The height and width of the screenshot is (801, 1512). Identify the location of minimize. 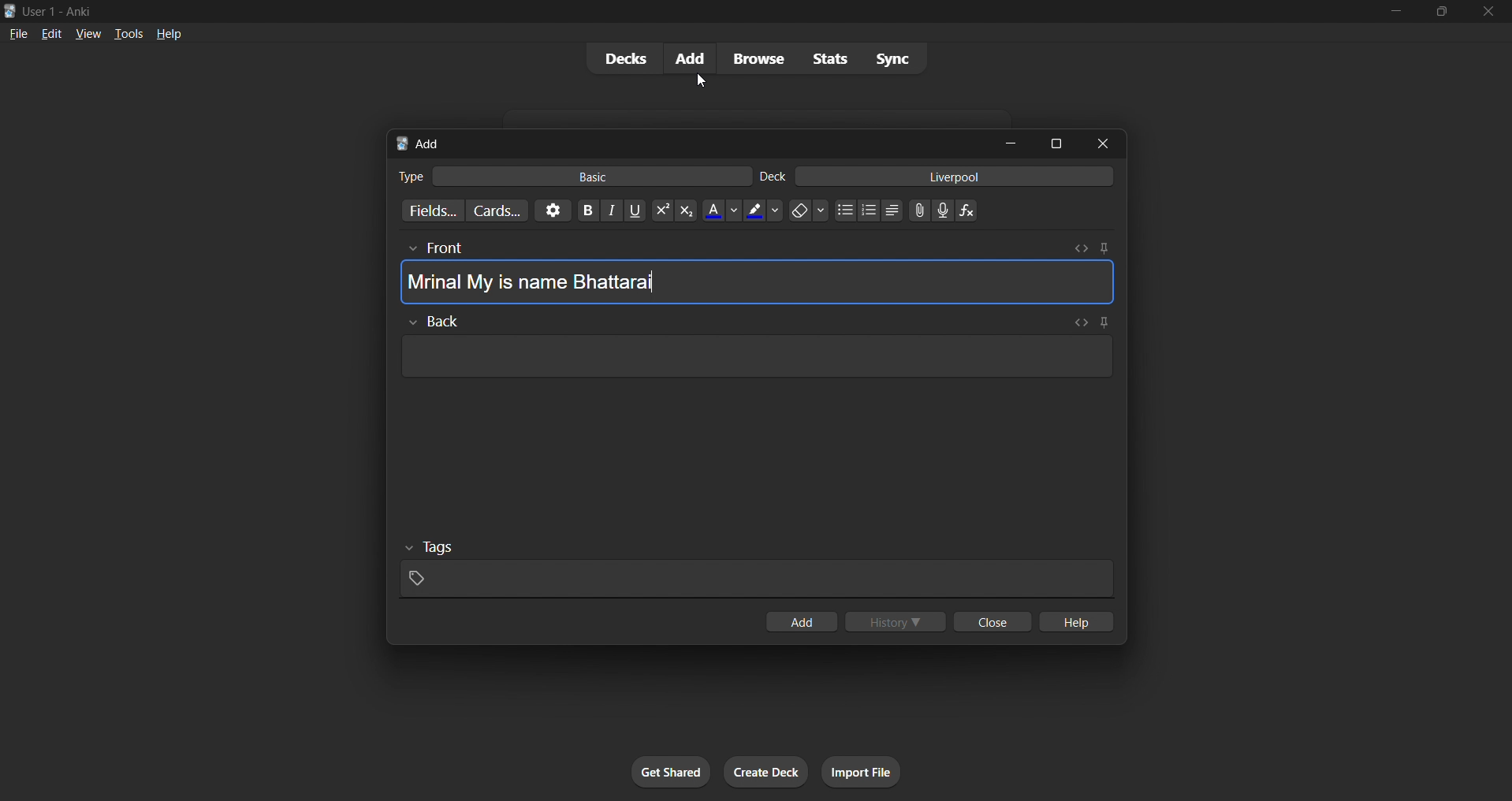
(1004, 142).